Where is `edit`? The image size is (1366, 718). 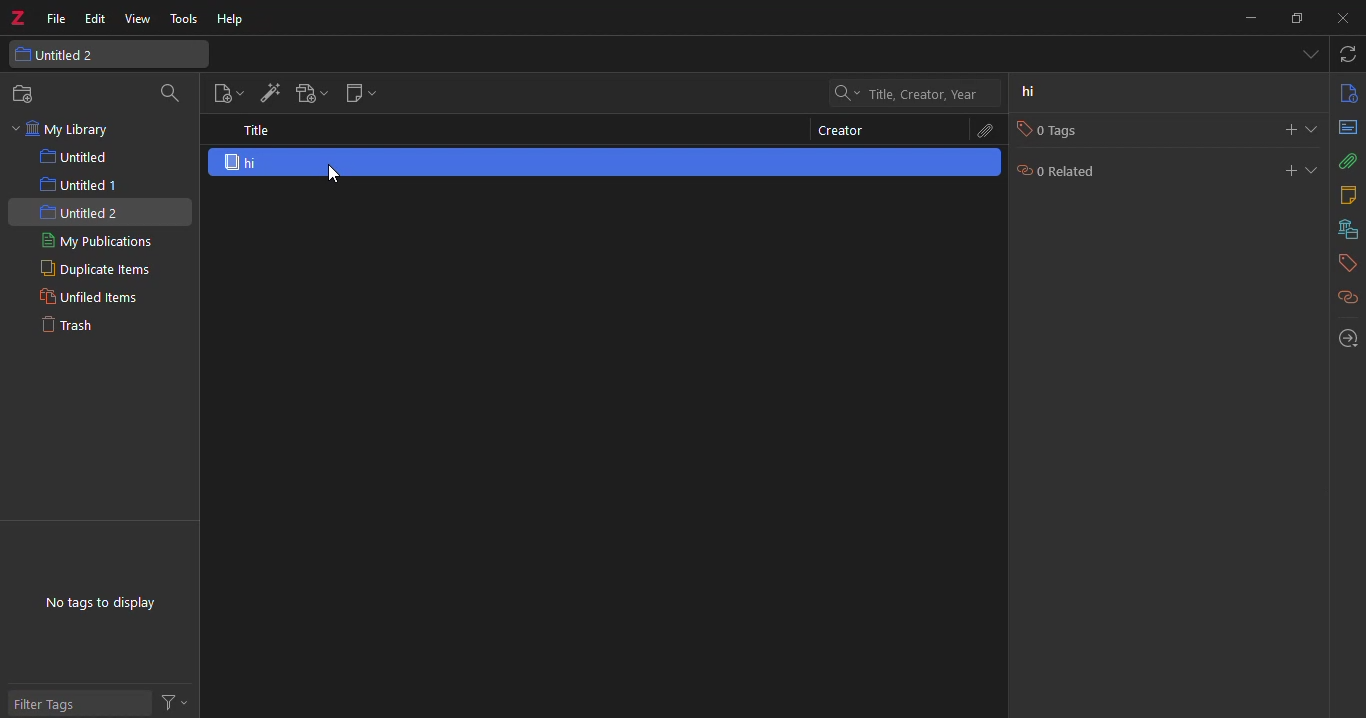 edit is located at coordinates (94, 19).